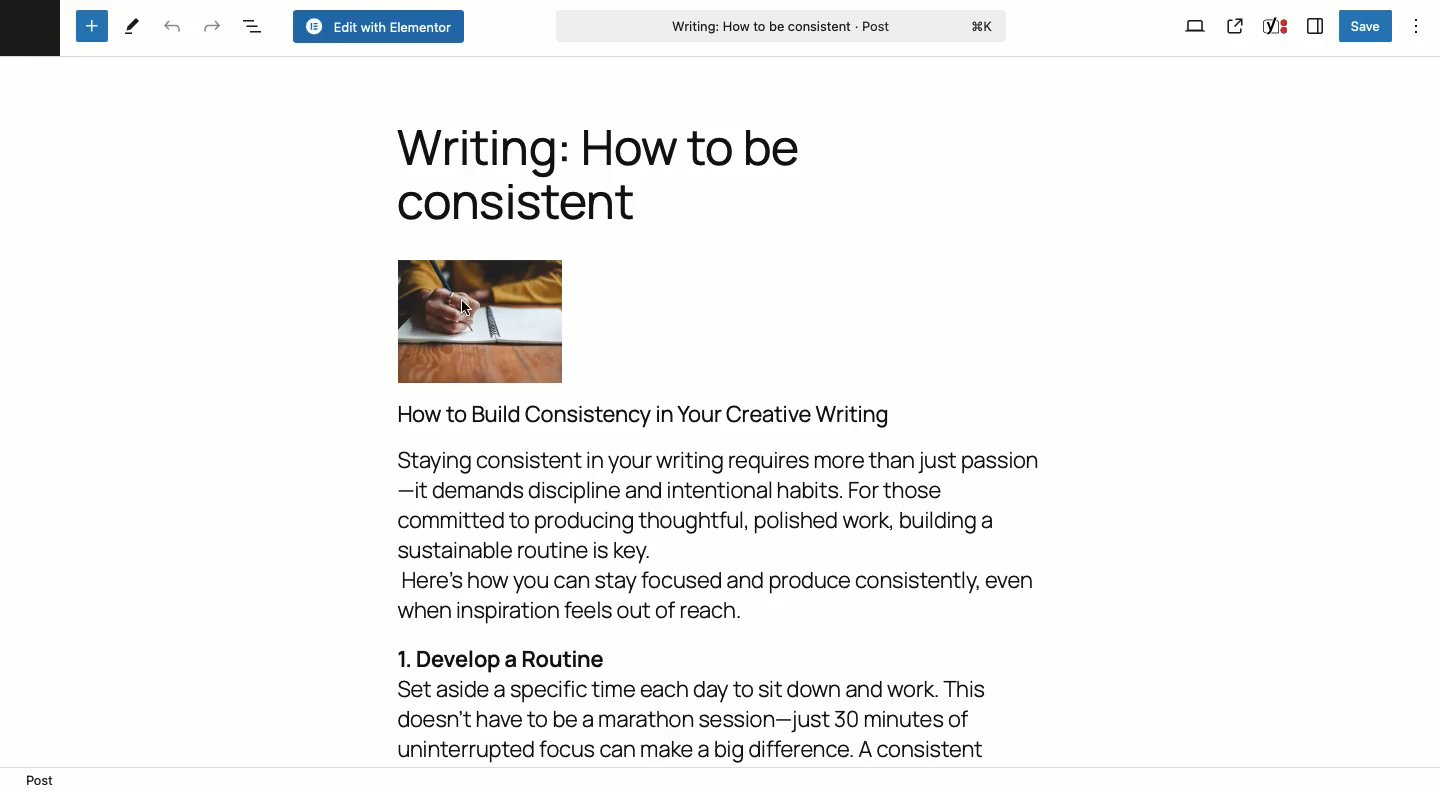 Image resolution: width=1440 pixels, height=792 pixels. I want to click on Document overview, so click(251, 25).